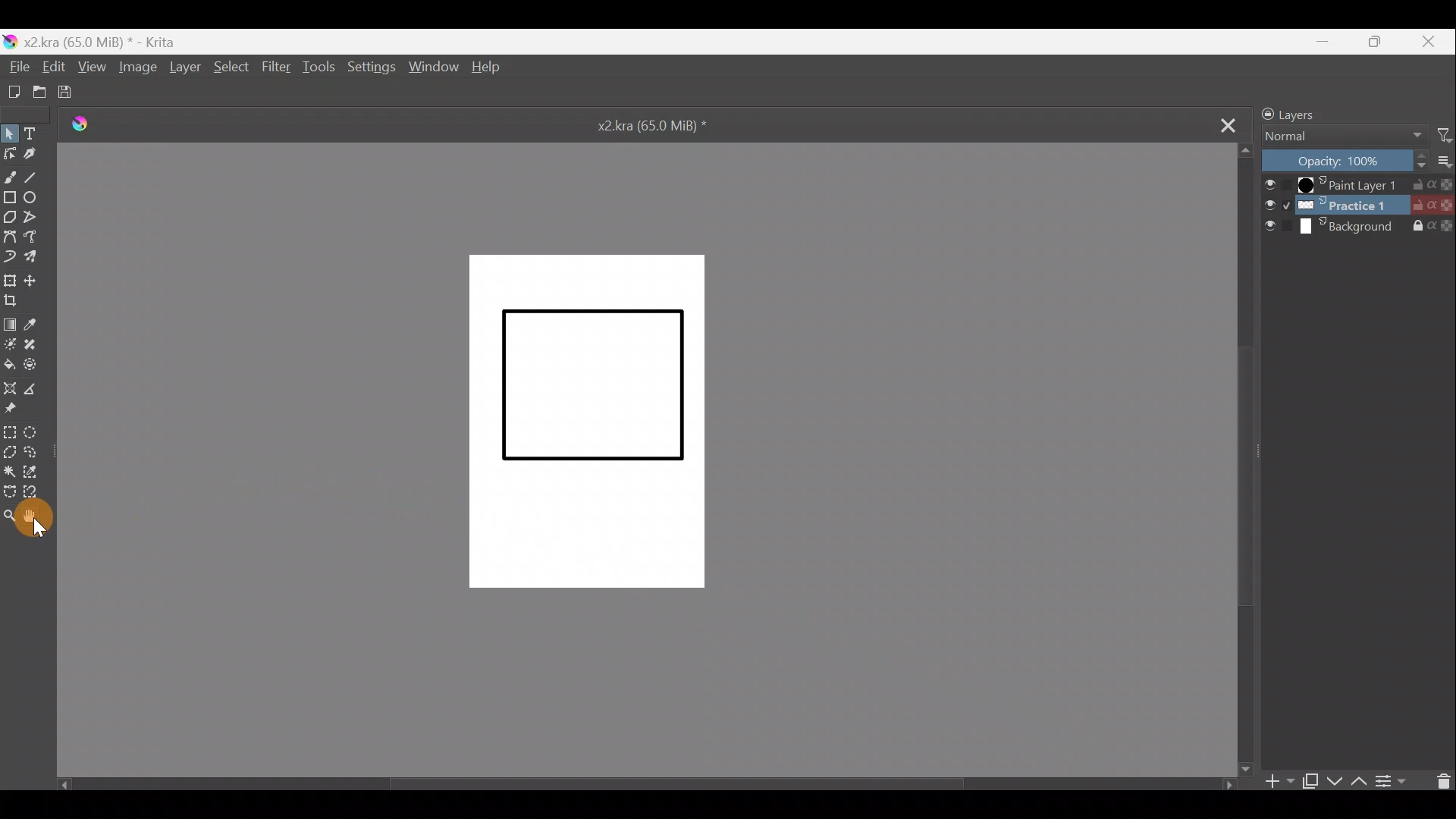 The image size is (1456, 819). Describe the element at coordinates (13, 92) in the screenshot. I see `Create a new document` at that location.